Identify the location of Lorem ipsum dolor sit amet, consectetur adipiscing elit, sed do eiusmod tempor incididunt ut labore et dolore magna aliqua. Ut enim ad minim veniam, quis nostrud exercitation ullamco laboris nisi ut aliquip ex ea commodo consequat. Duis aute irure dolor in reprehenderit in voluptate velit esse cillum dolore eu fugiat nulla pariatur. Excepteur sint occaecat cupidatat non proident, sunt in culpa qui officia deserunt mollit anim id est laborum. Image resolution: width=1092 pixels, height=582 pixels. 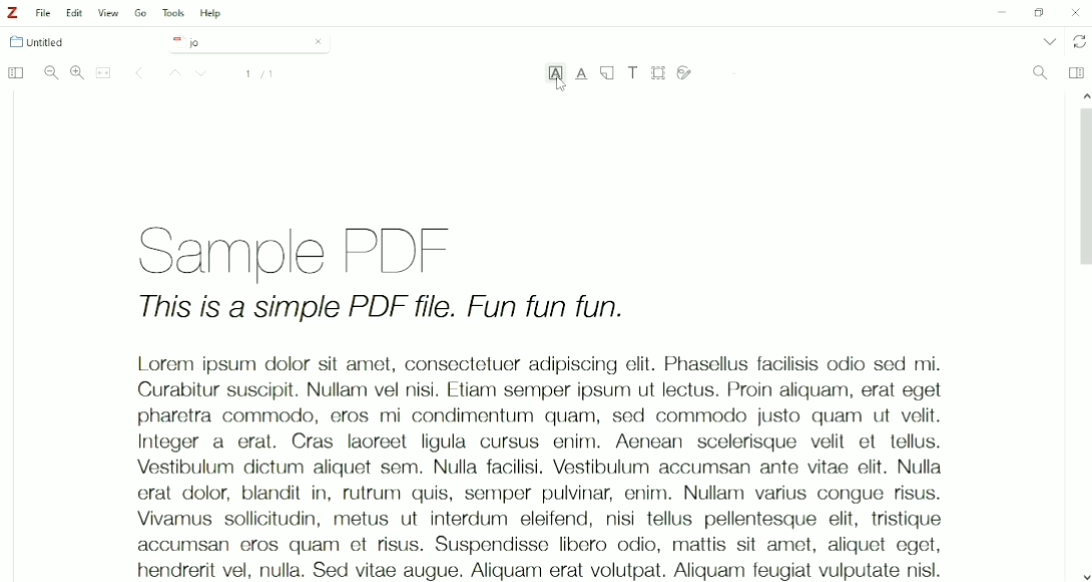
(529, 462).